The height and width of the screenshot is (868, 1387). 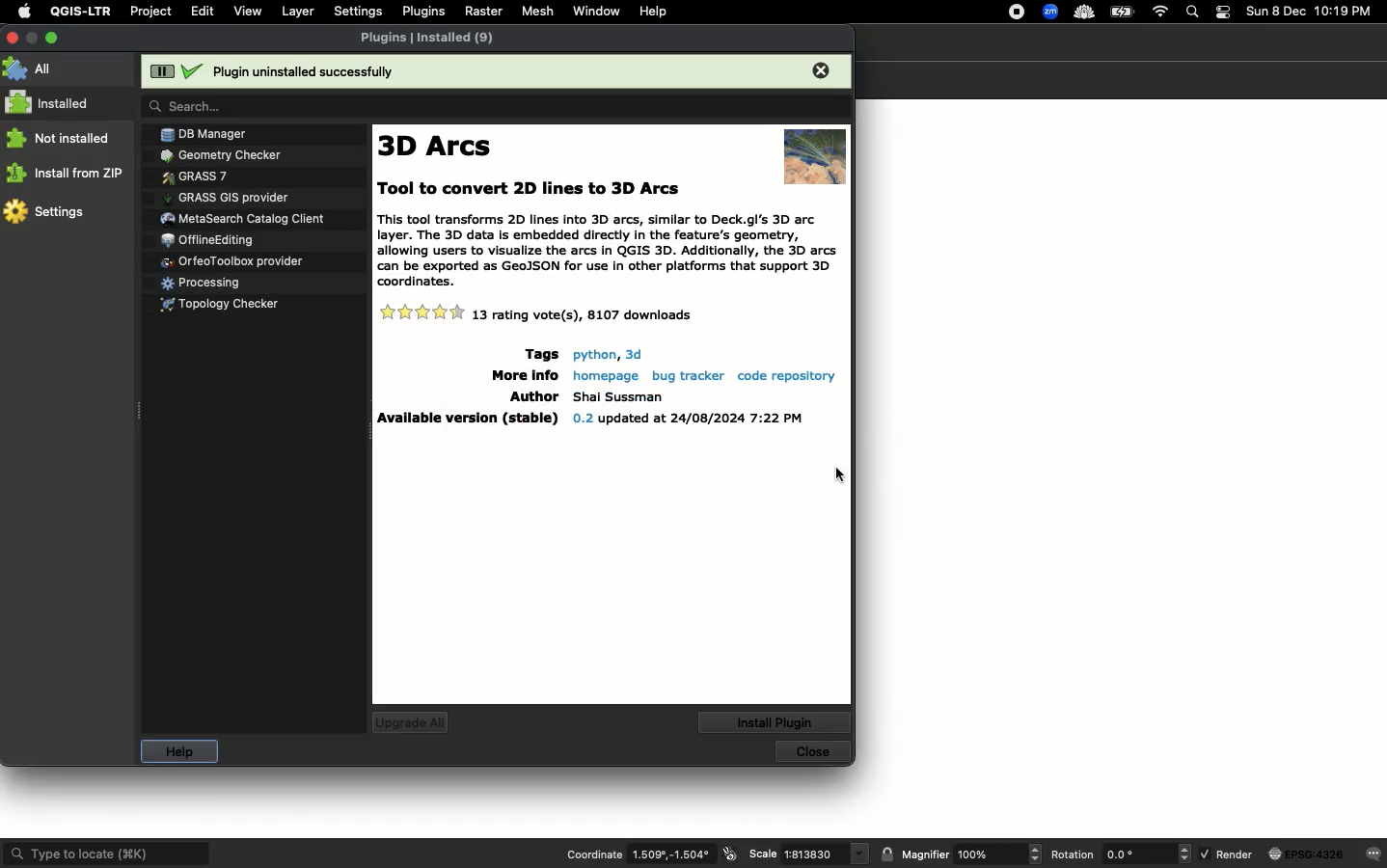 I want to click on Raster, so click(x=484, y=12).